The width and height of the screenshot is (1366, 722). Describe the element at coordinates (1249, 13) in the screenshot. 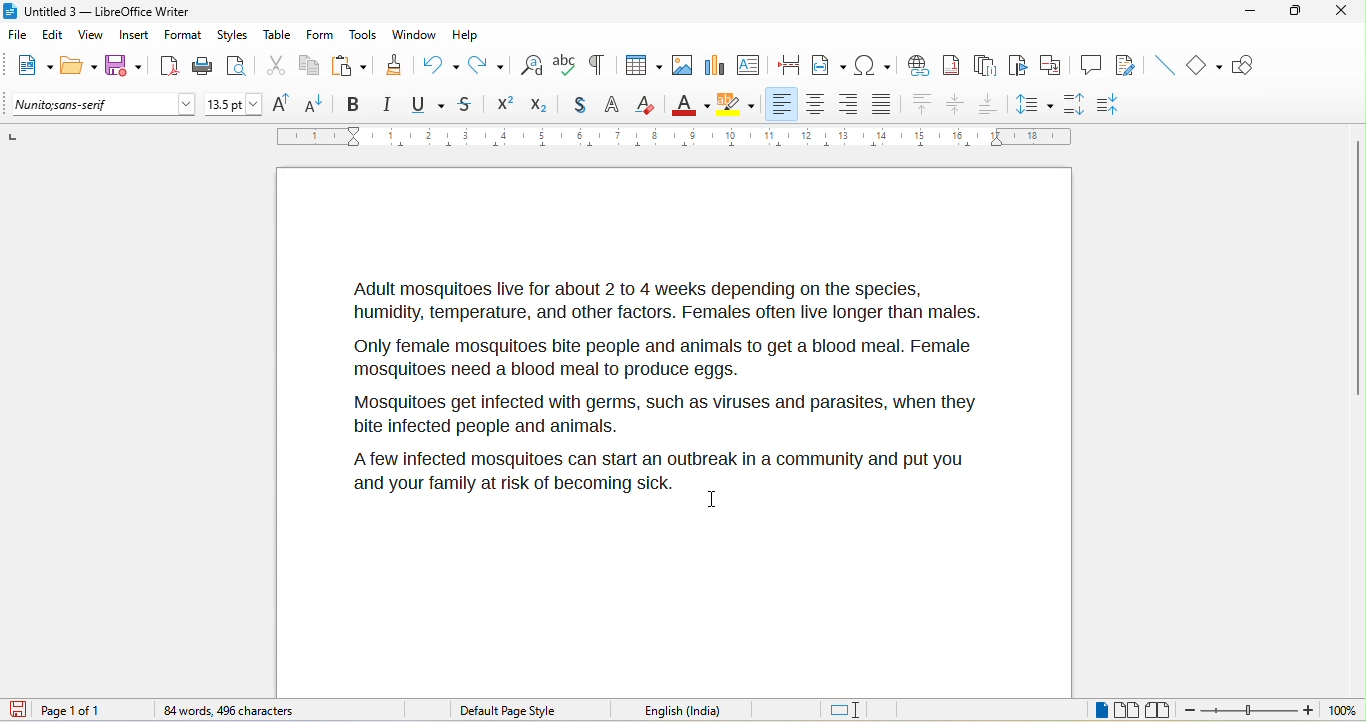

I see `minimize` at that location.